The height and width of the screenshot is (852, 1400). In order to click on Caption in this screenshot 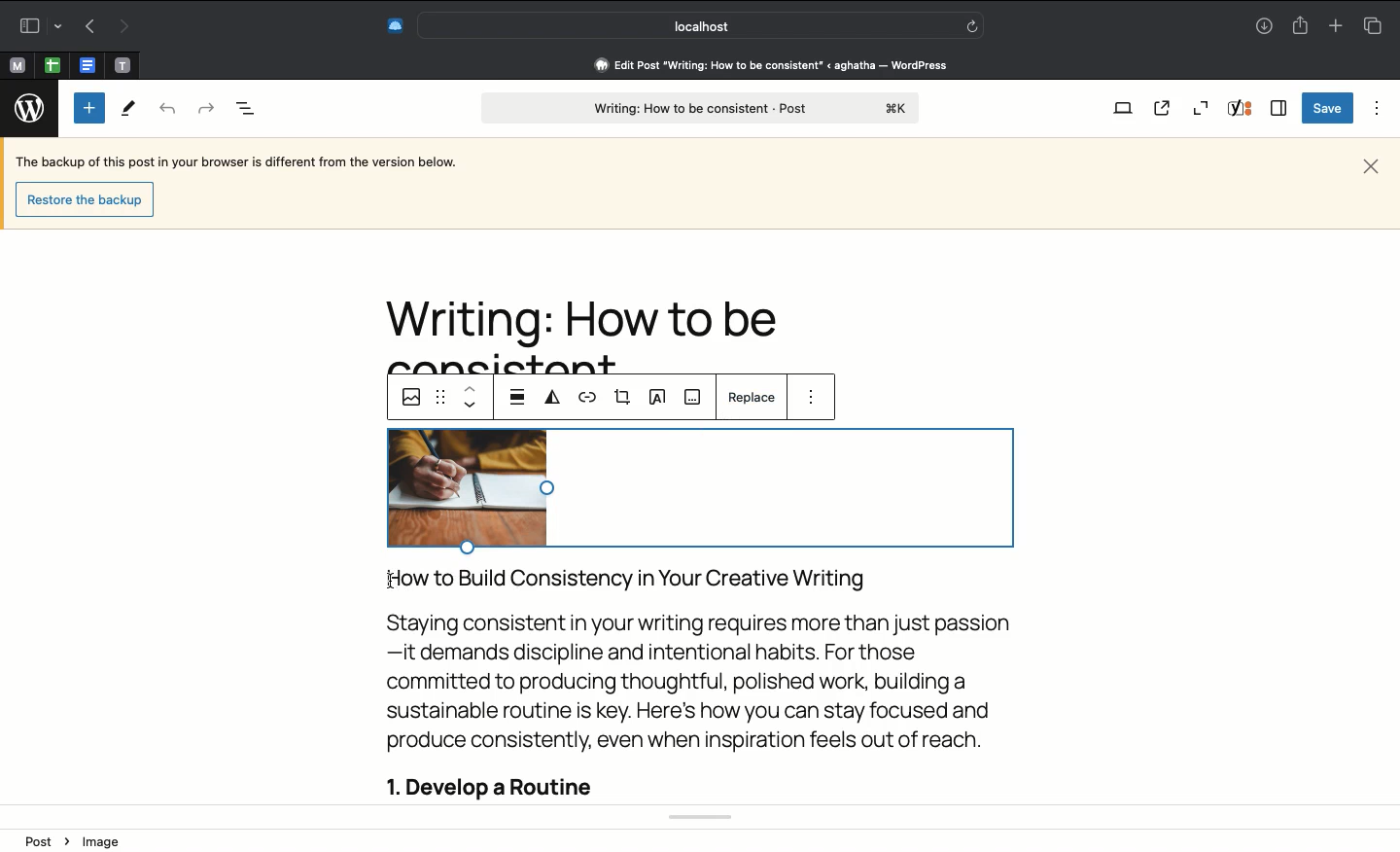, I will do `click(692, 395)`.